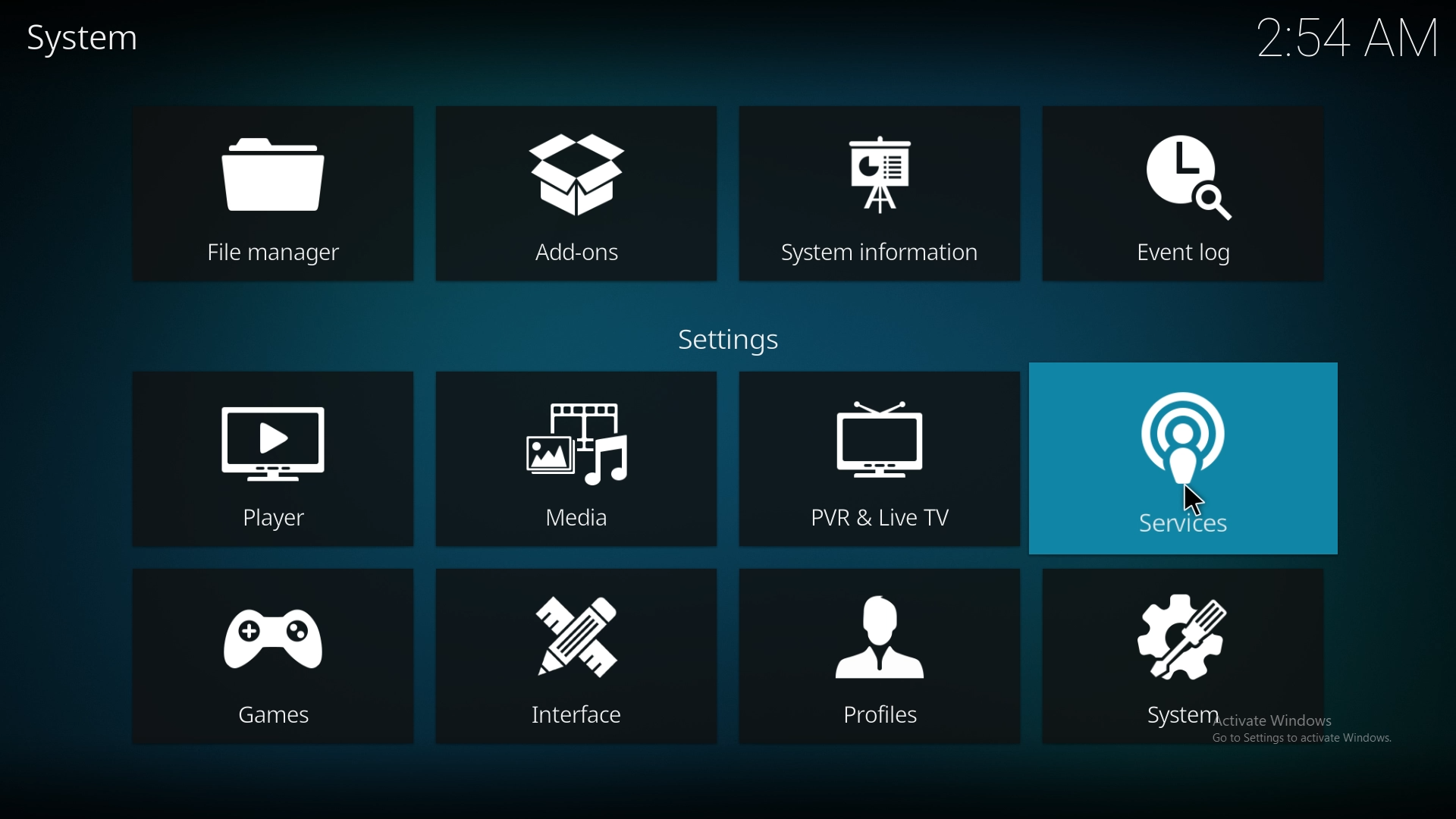 This screenshot has width=1456, height=819. Describe the element at coordinates (579, 660) in the screenshot. I see `interface` at that location.